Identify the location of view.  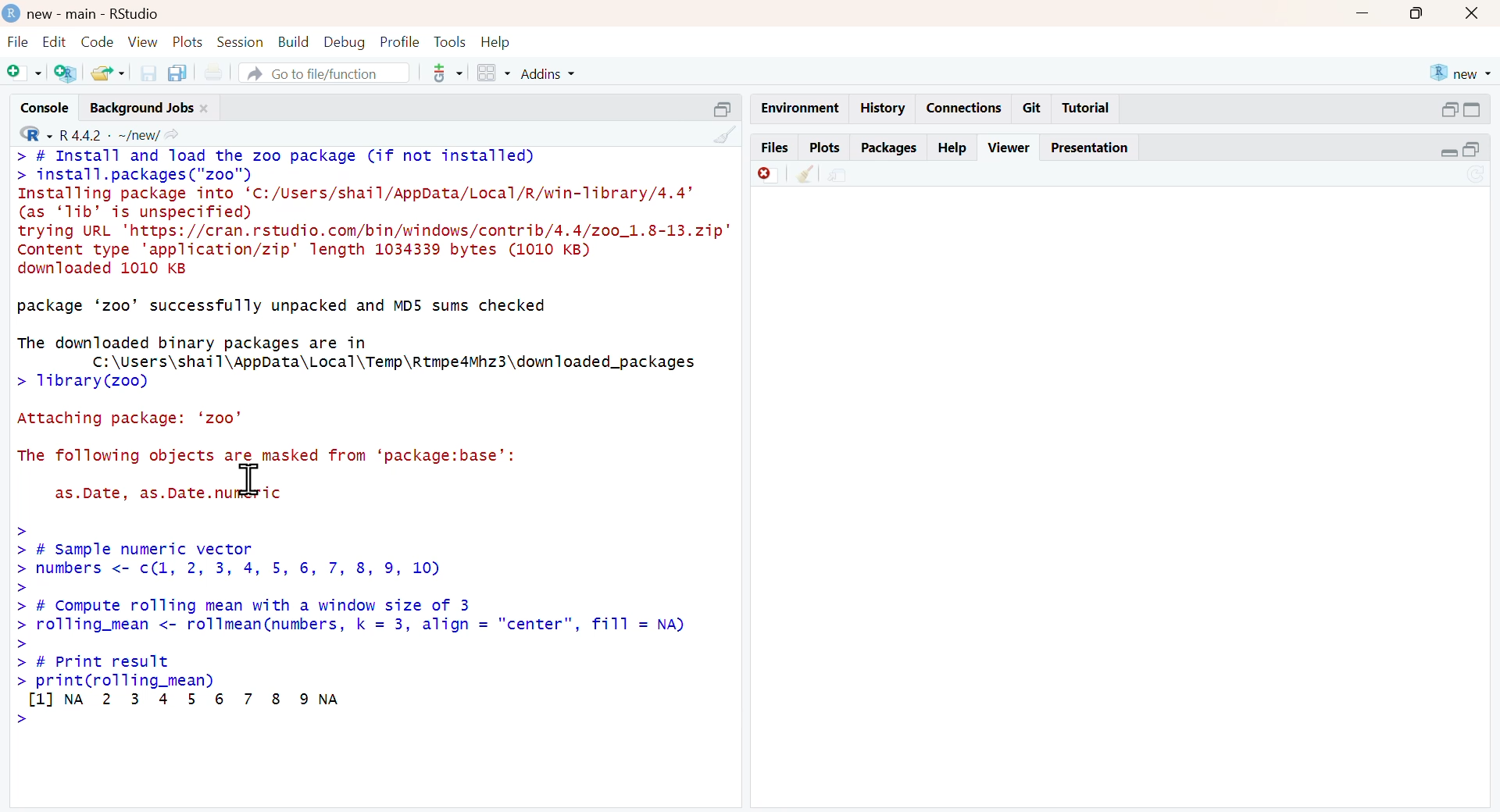
(144, 42).